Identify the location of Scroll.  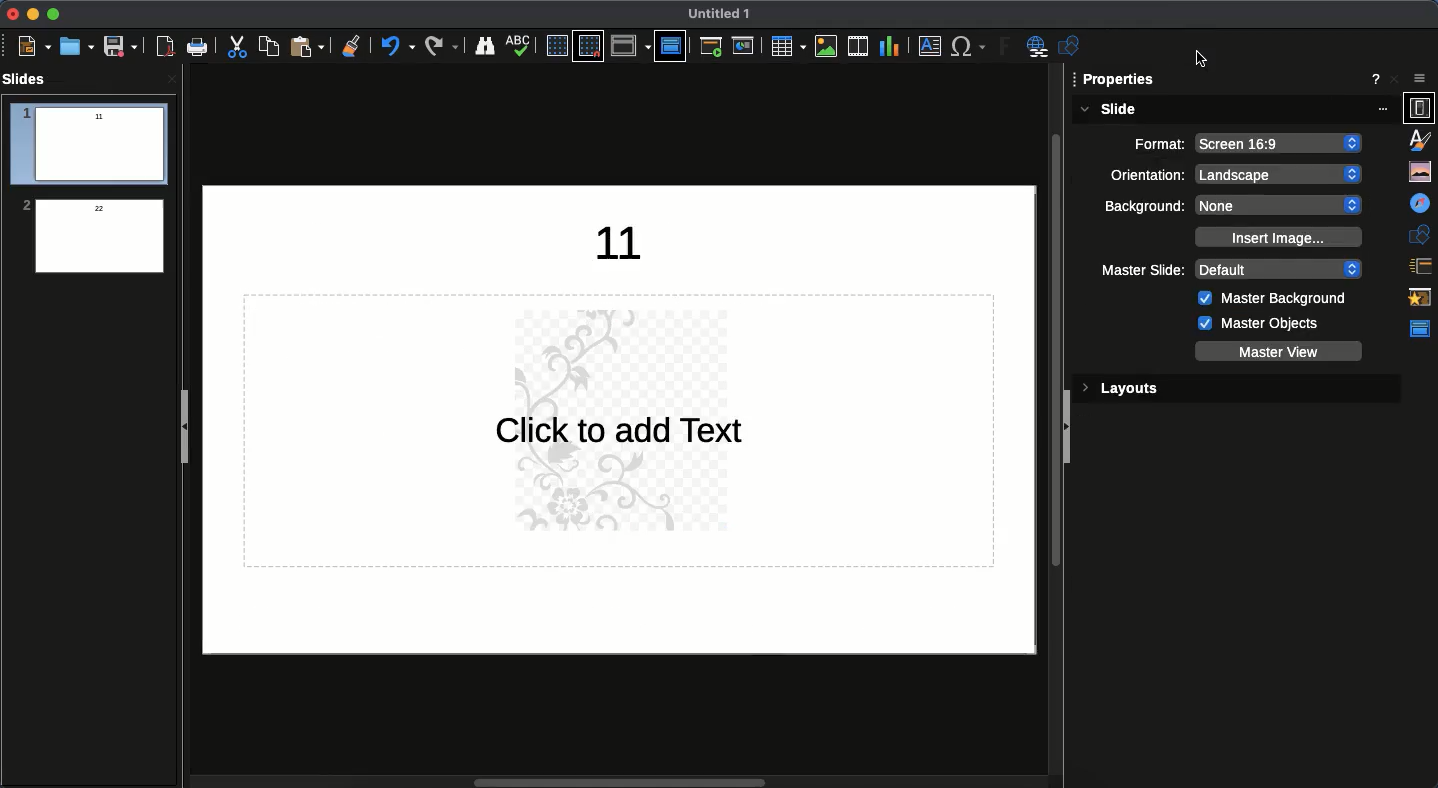
(748, 779).